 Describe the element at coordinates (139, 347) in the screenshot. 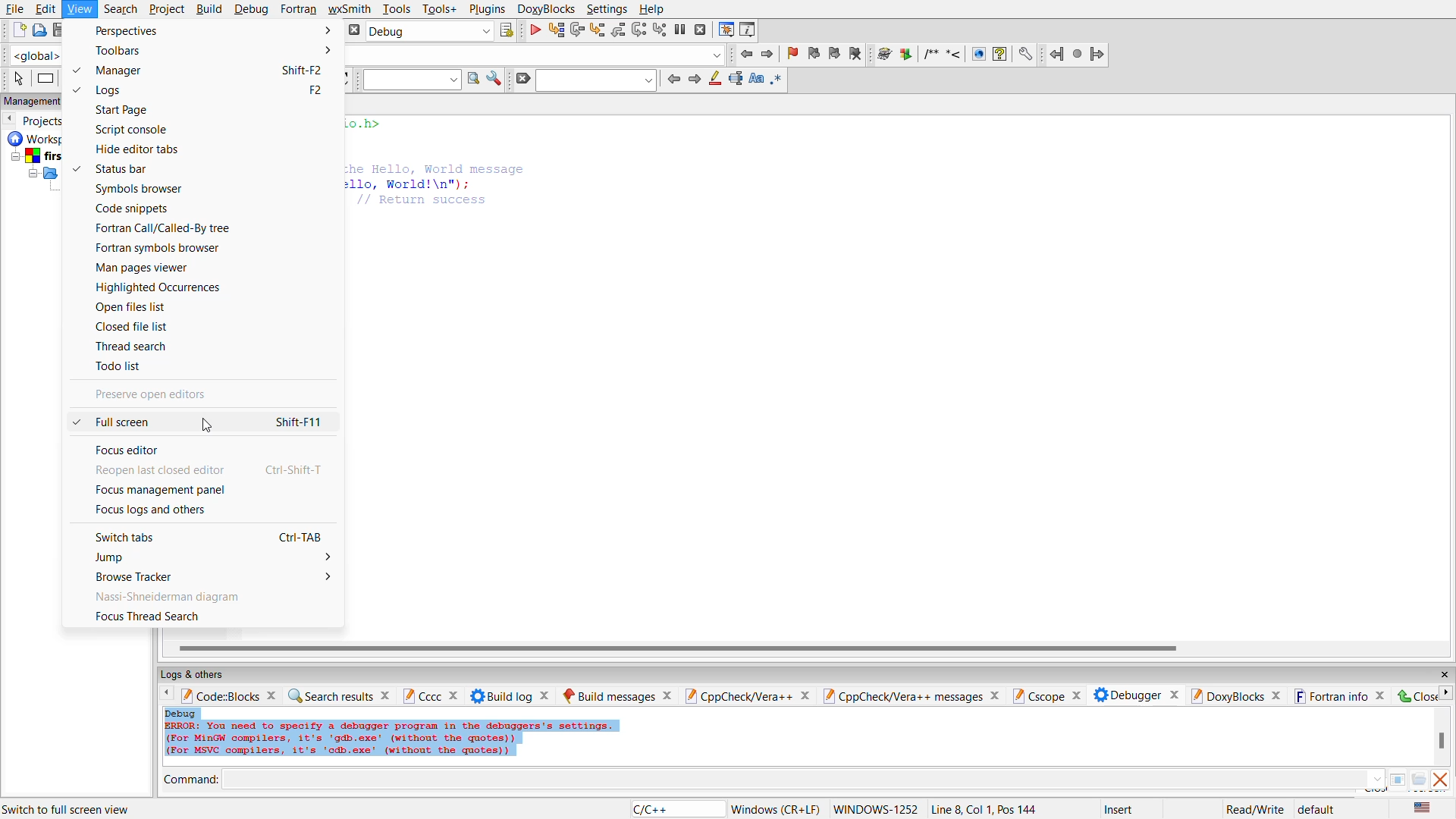

I see `thread search` at that location.